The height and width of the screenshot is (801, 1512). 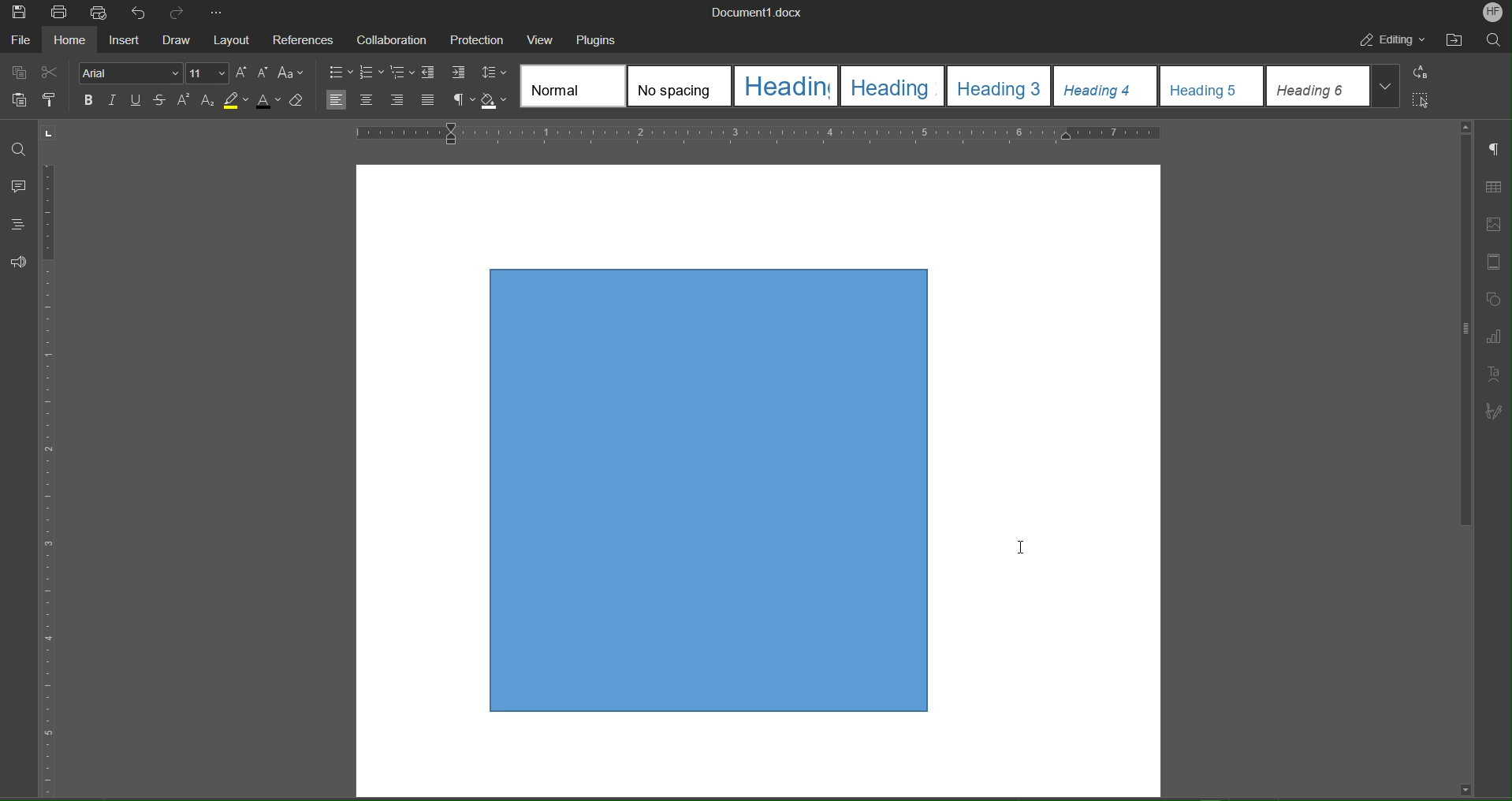 What do you see at coordinates (463, 101) in the screenshot?
I see `Non-Printing Characters` at bounding box center [463, 101].